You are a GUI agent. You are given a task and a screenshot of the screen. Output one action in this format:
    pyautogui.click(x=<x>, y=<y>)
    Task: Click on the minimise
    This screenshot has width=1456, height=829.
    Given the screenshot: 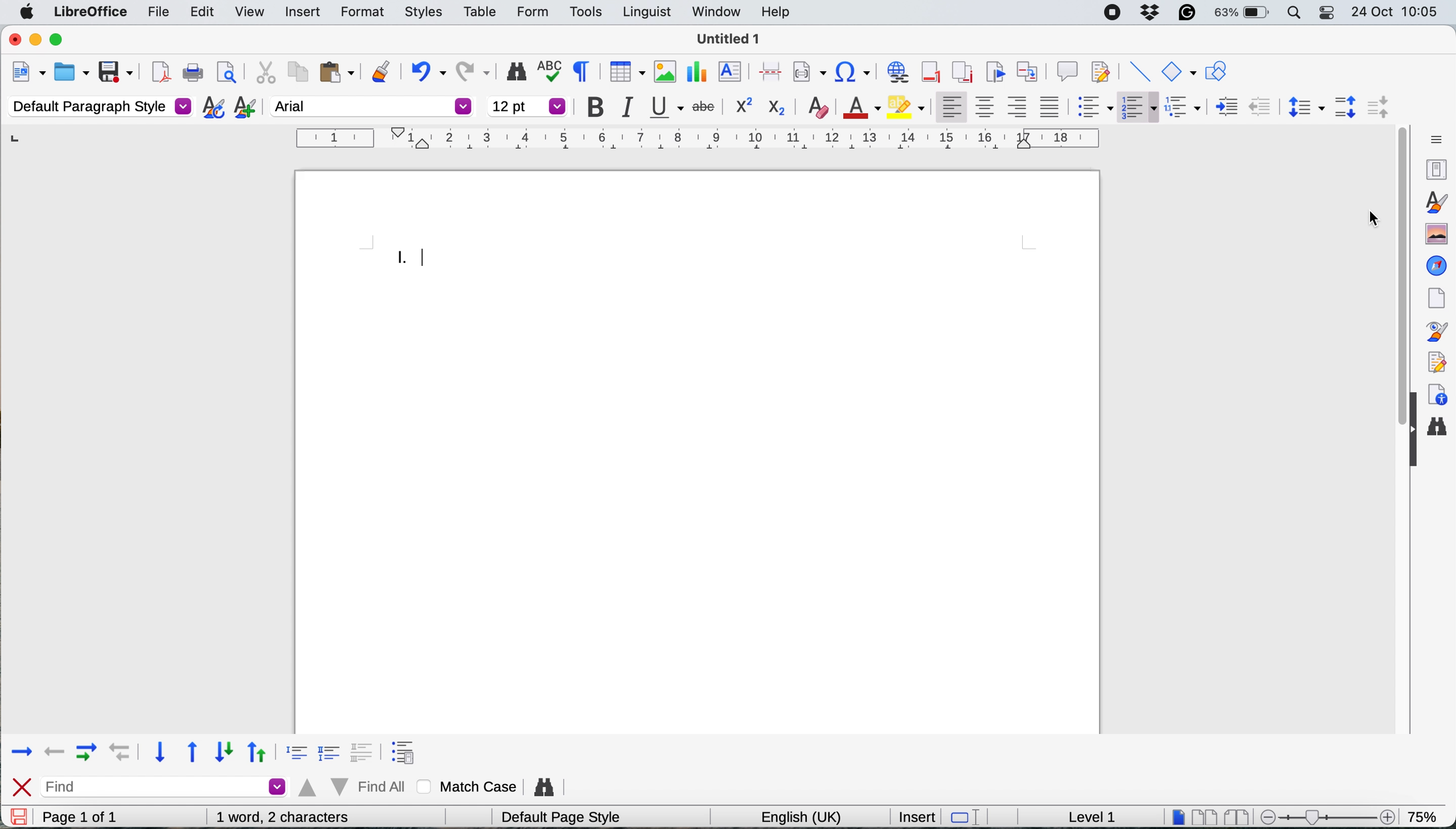 What is the action you would take?
    pyautogui.click(x=36, y=40)
    